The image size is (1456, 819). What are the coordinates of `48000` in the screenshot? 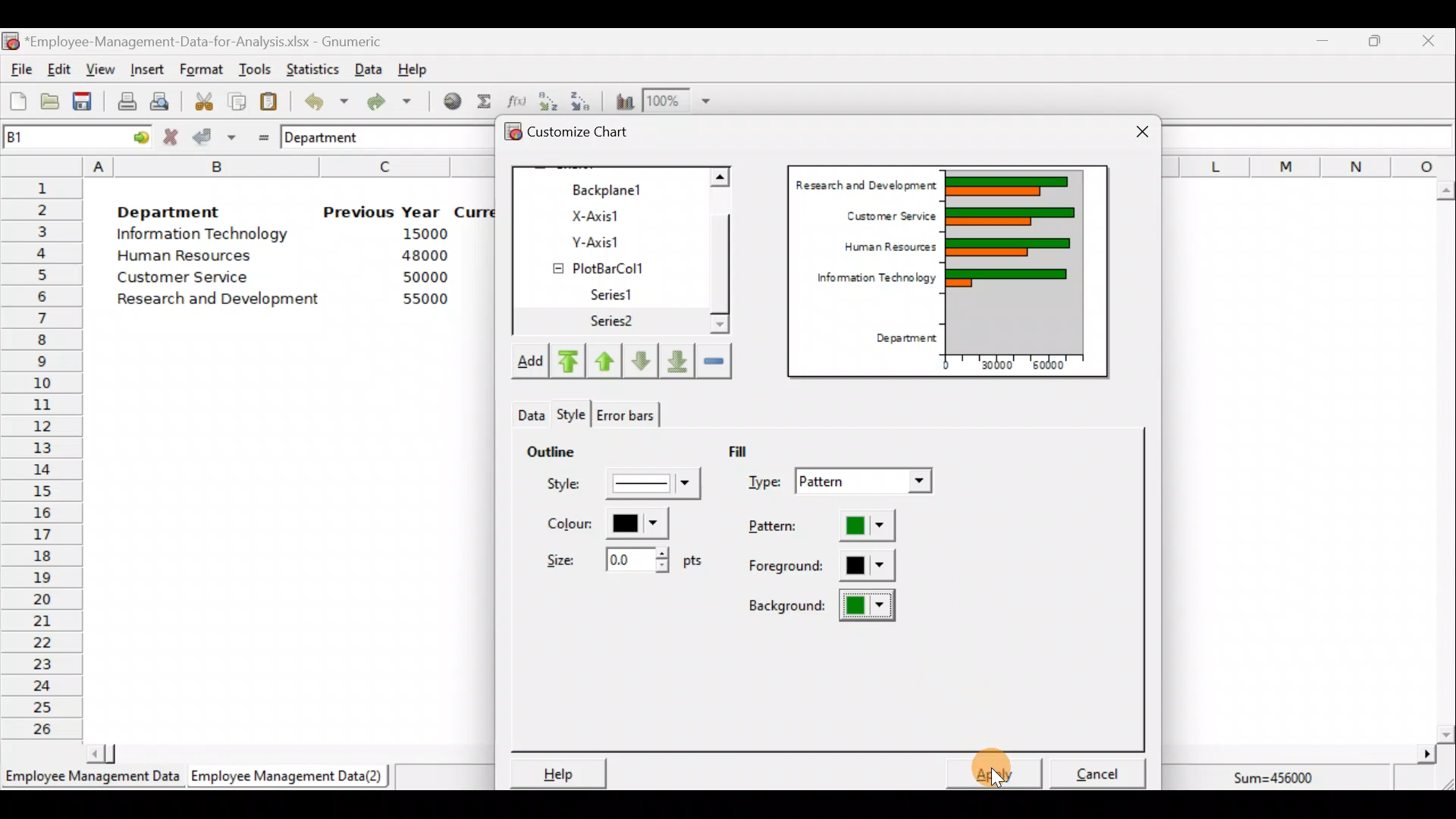 It's located at (424, 256).